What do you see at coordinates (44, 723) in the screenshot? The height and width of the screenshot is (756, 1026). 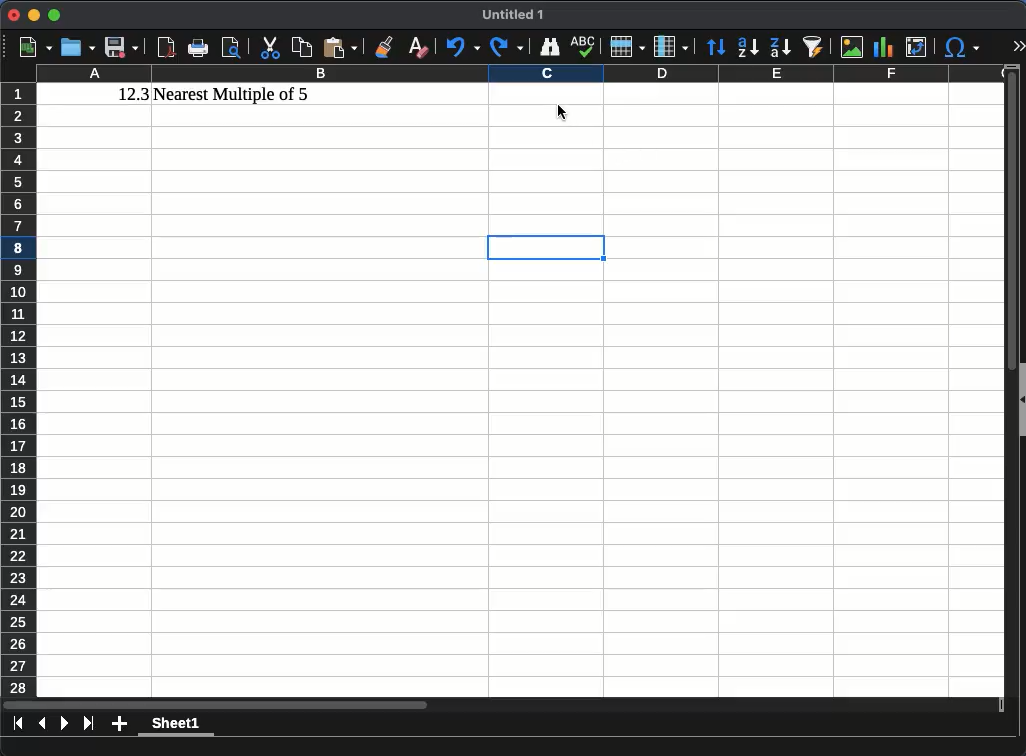 I see `previous sheet` at bounding box center [44, 723].